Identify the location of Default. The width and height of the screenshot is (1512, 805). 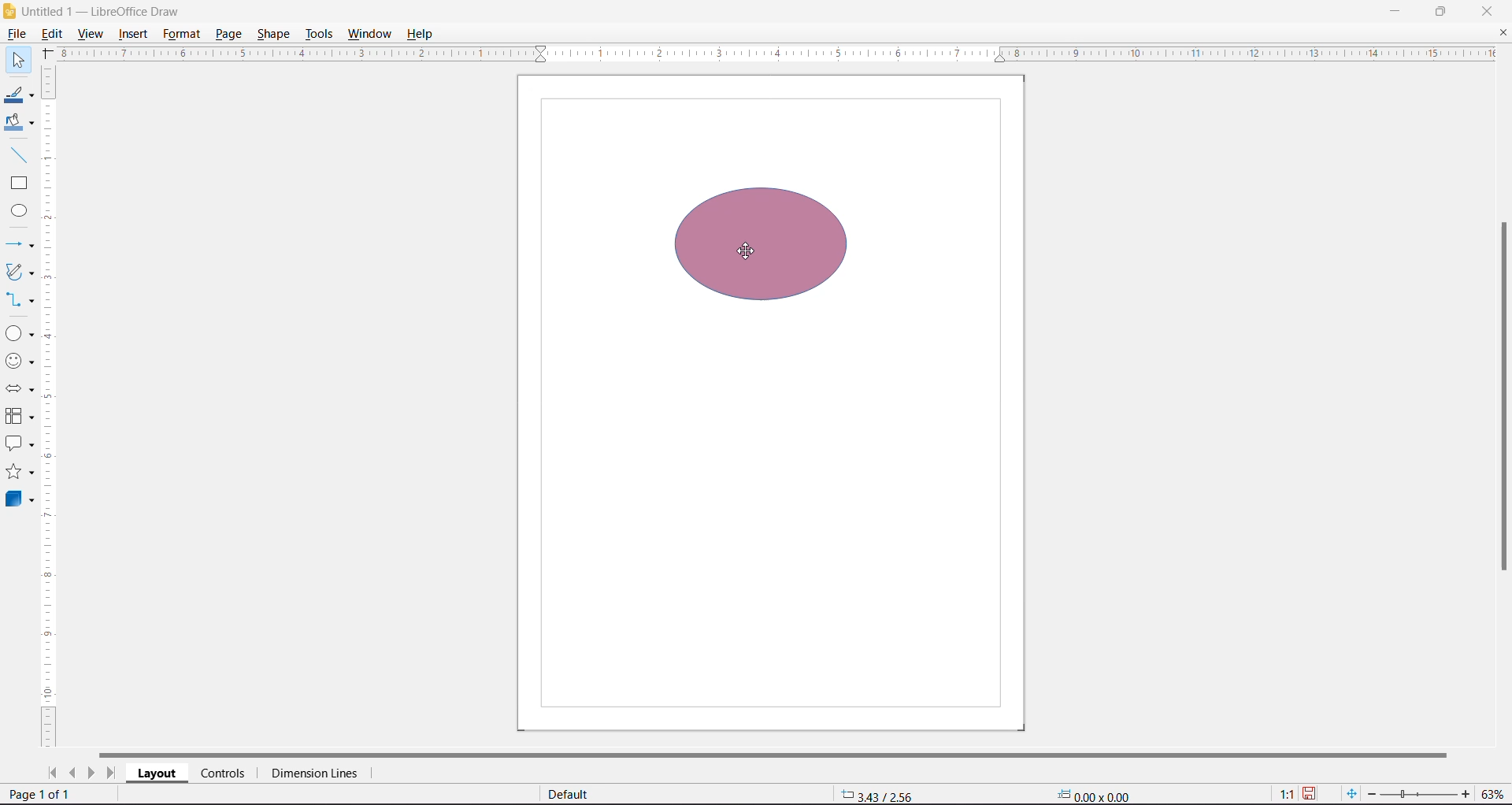
(570, 794).